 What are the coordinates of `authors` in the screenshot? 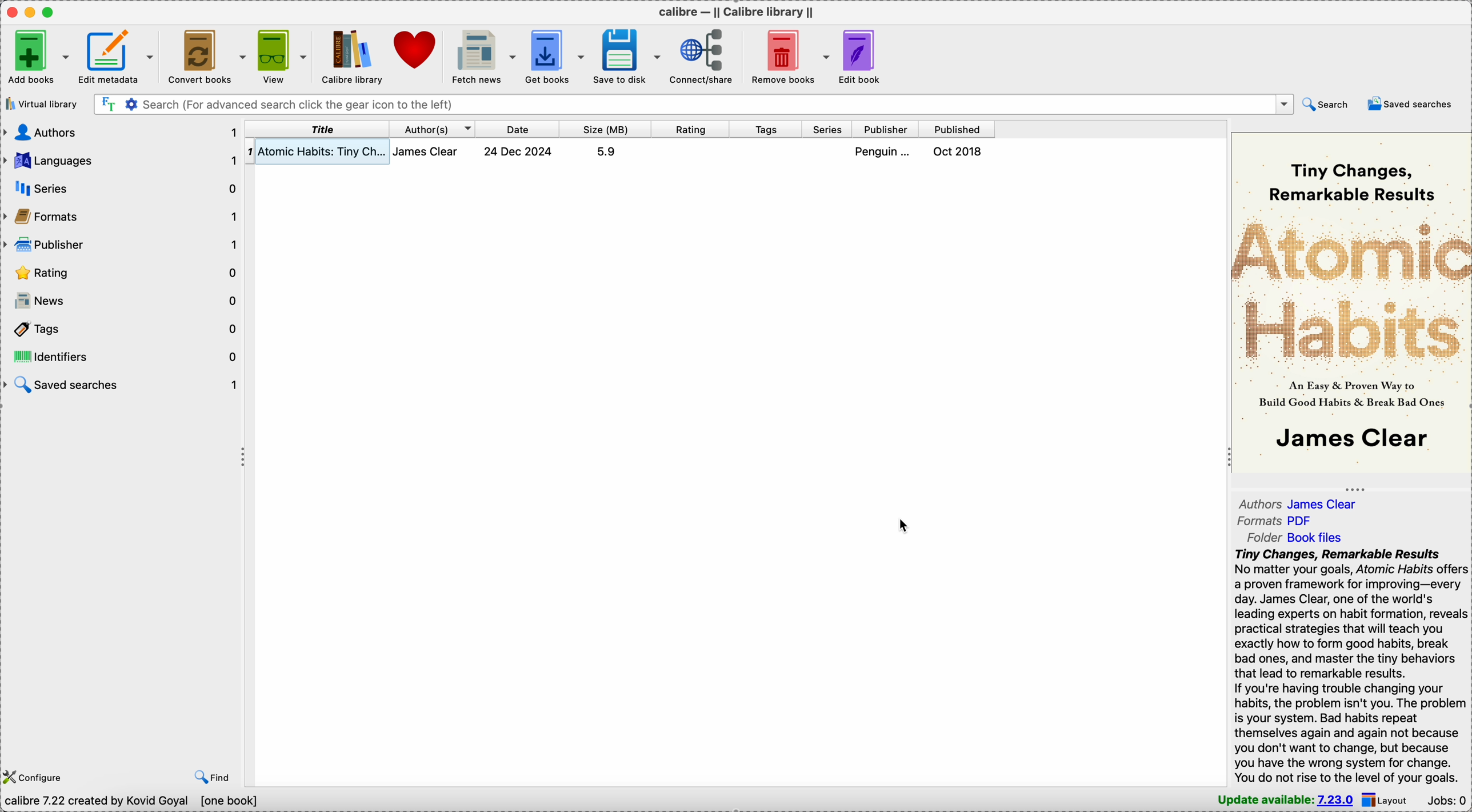 It's located at (122, 131).